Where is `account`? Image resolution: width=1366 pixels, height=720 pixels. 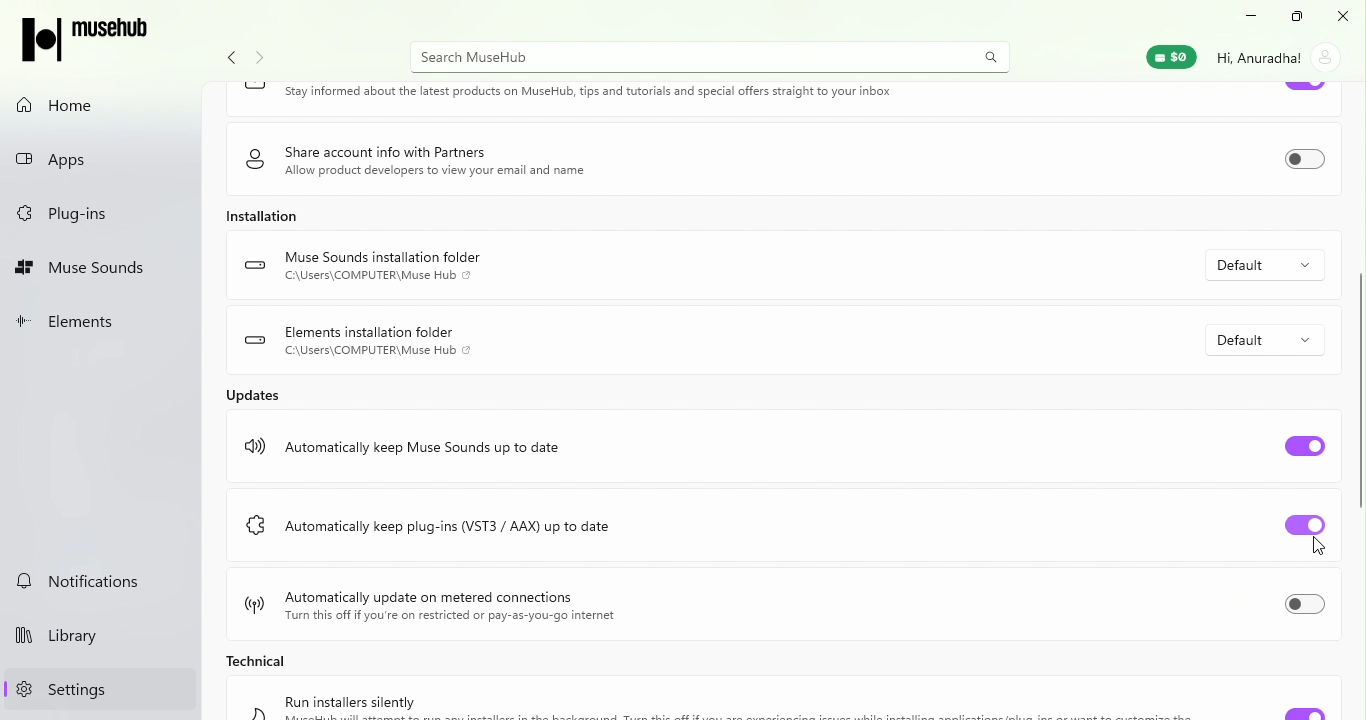 account is located at coordinates (1327, 59).